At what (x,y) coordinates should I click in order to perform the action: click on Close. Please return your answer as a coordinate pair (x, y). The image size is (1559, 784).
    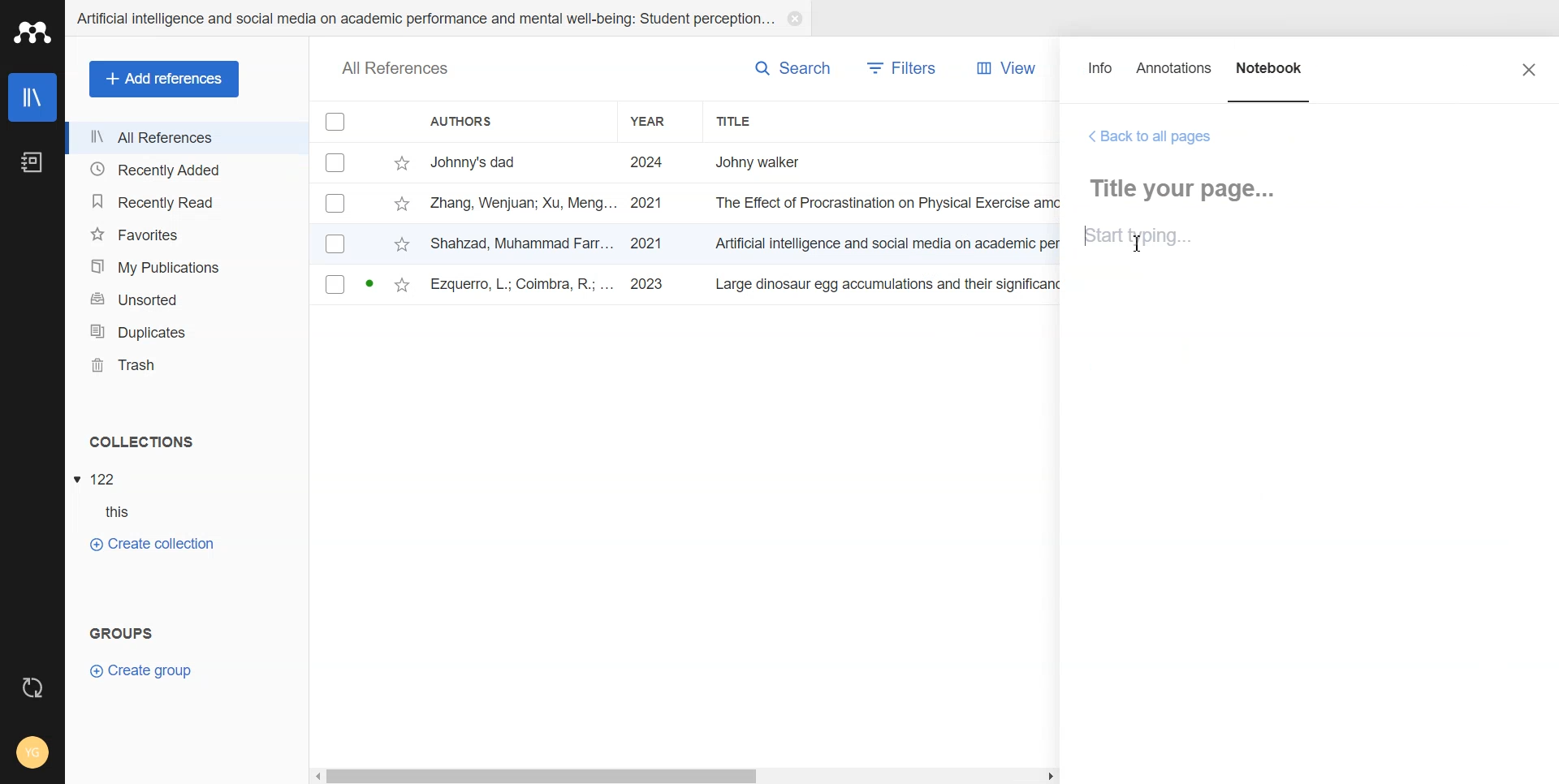
    Looking at the image, I should click on (1529, 69).